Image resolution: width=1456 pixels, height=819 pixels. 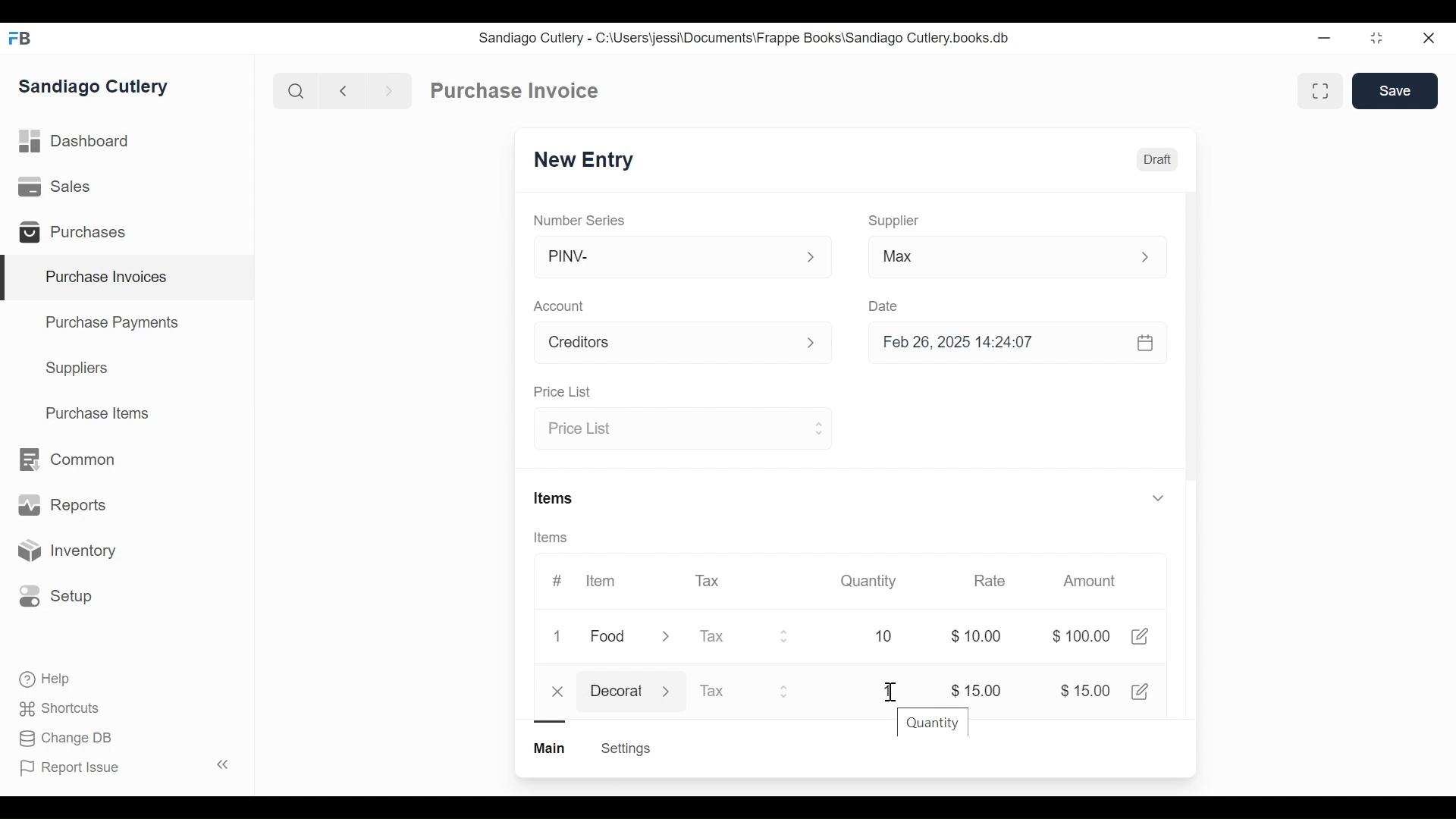 What do you see at coordinates (976, 691) in the screenshot?
I see `$15.00` at bounding box center [976, 691].